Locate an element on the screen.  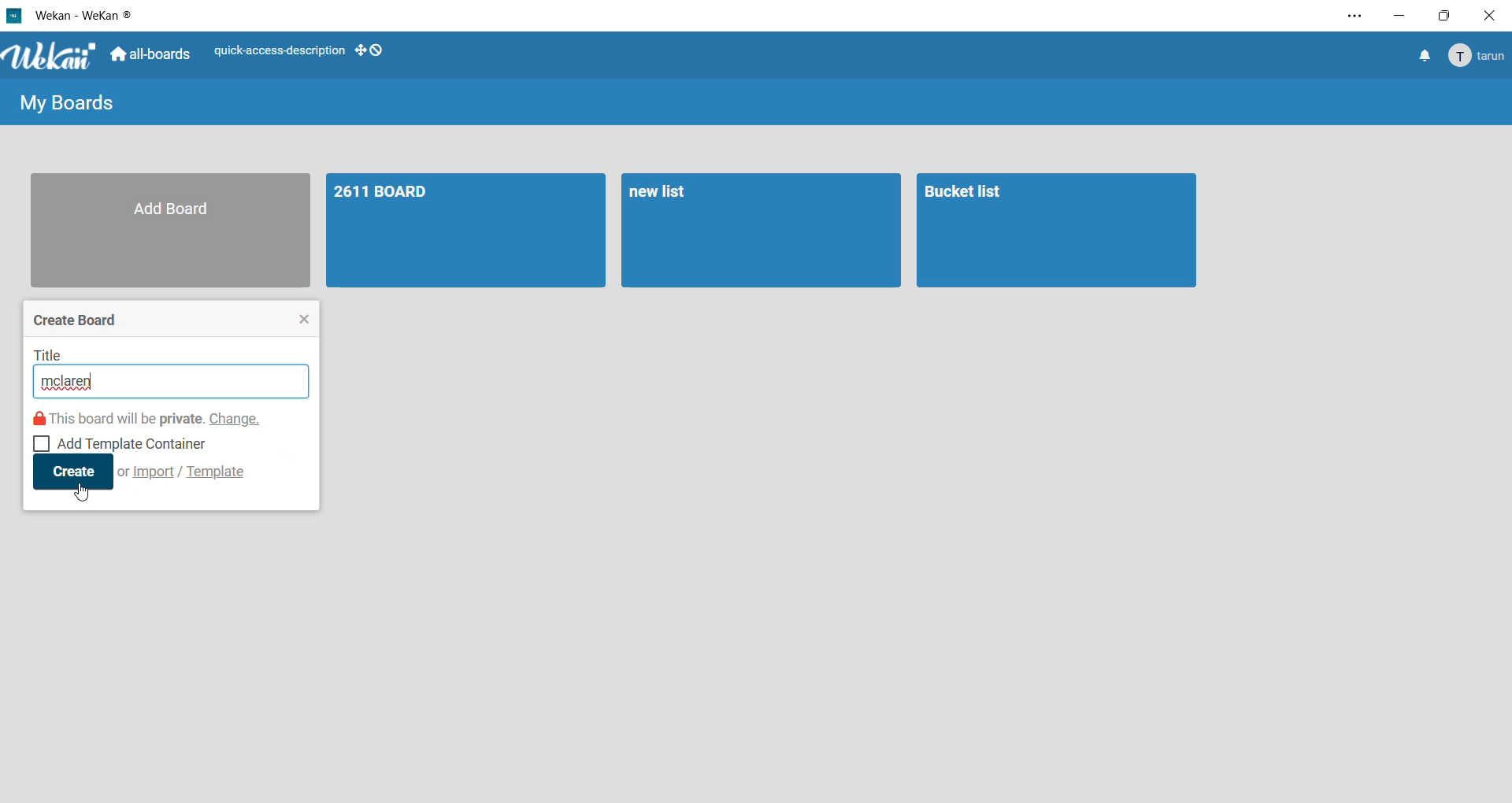
create board is located at coordinates (81, 322).